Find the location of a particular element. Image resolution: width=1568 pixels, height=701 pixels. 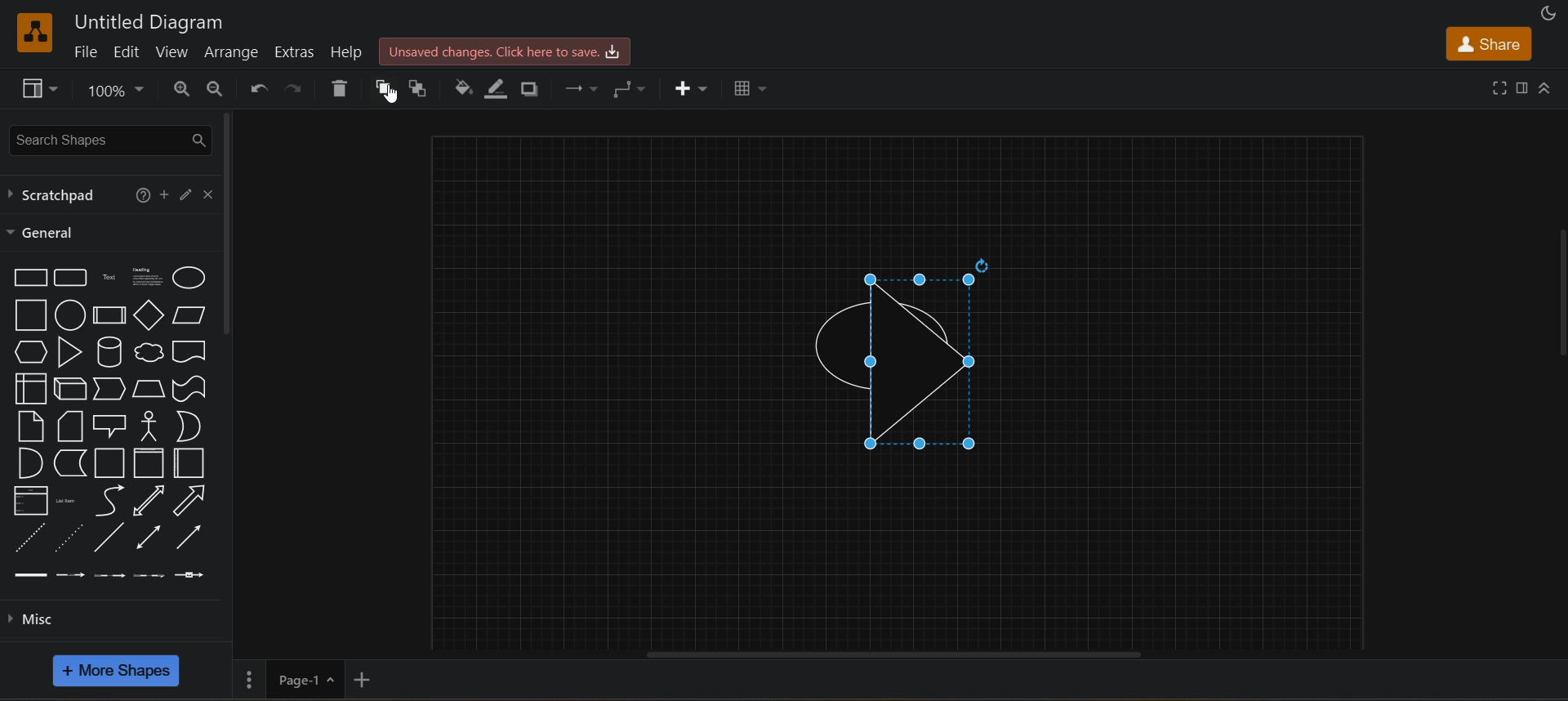

diamond is located at coordinates (149, 315).